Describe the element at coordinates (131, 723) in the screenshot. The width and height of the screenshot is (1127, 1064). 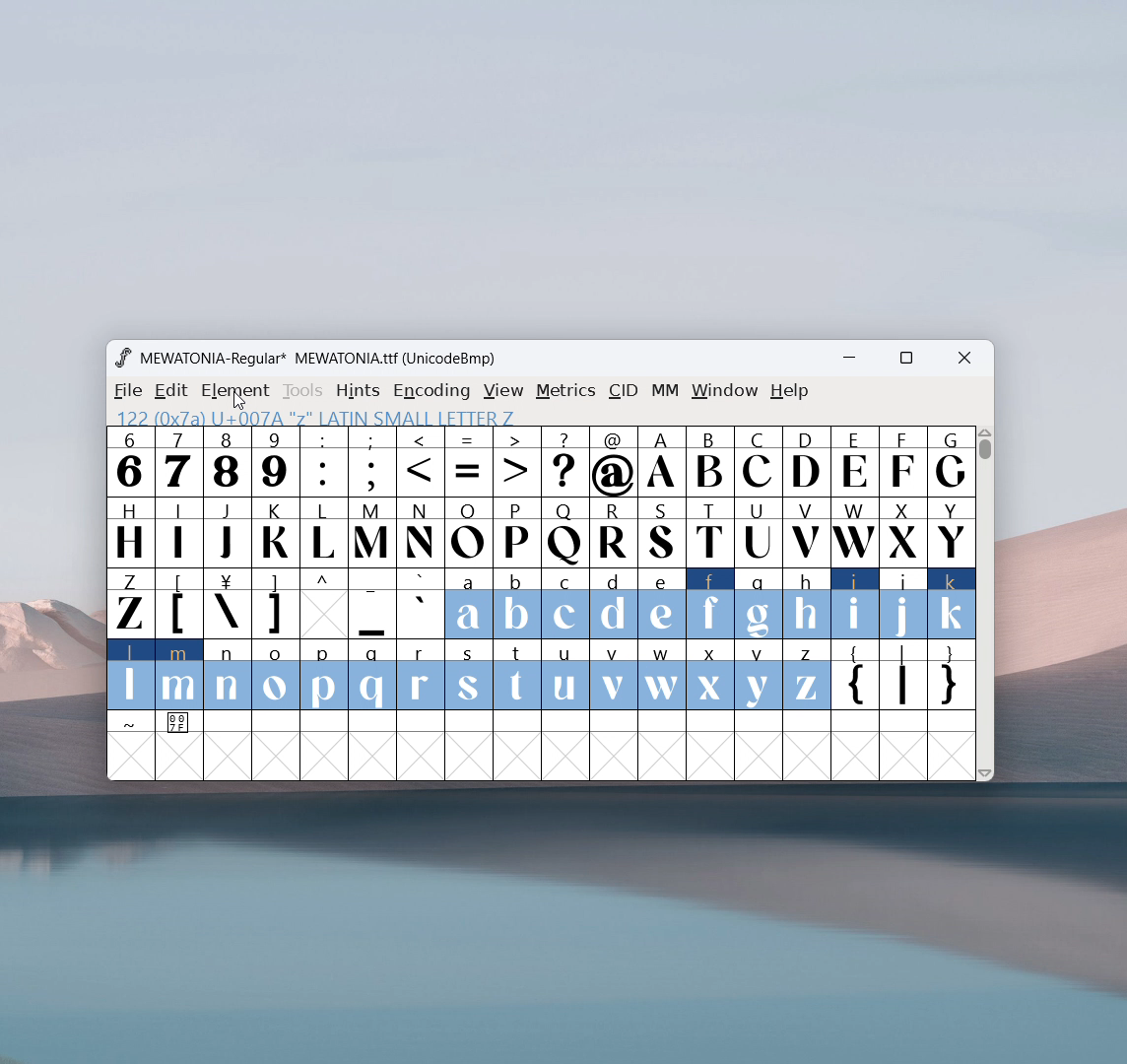
I see `~` at that location.